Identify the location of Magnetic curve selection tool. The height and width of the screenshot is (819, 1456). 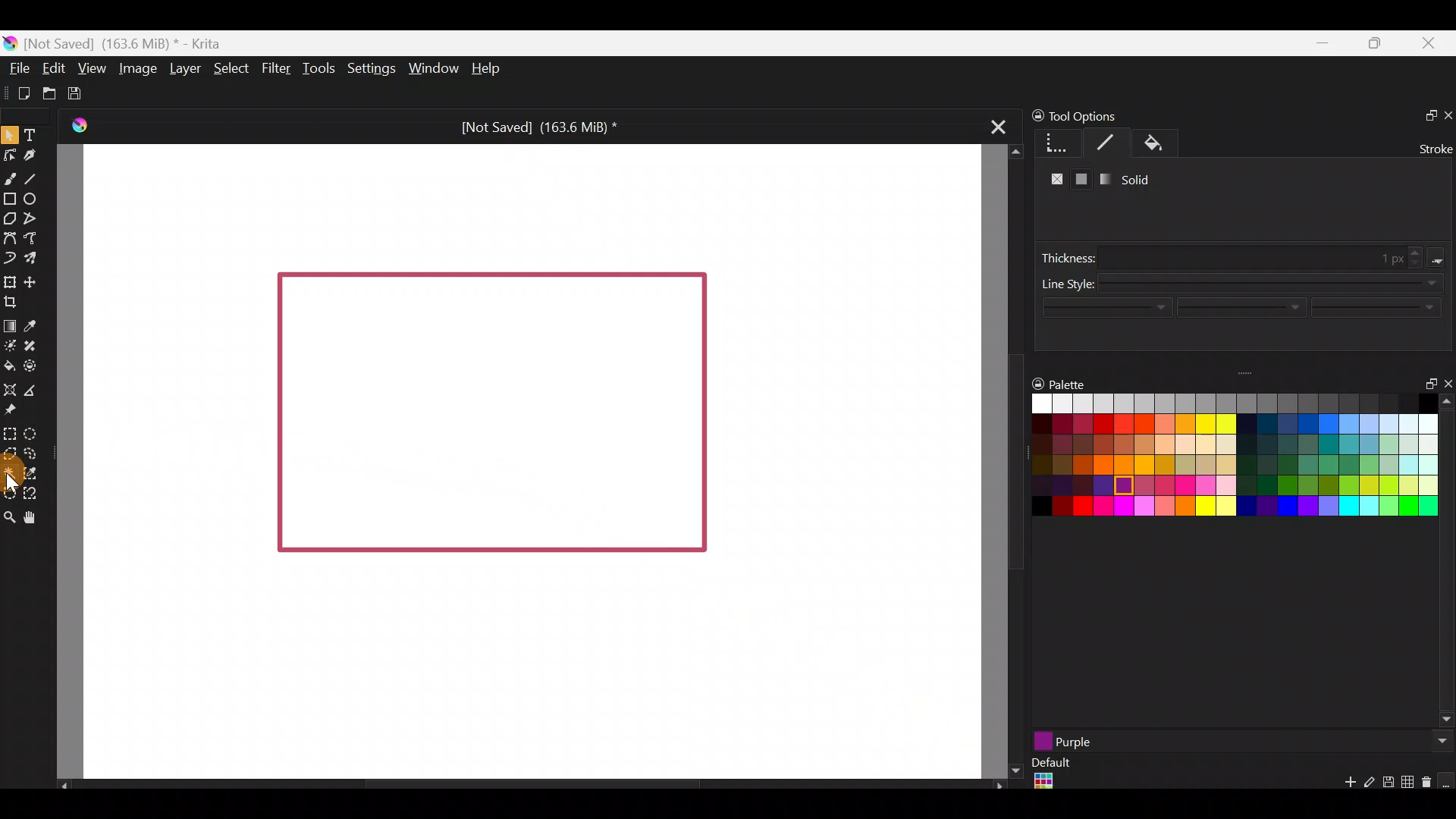
(33, 490).